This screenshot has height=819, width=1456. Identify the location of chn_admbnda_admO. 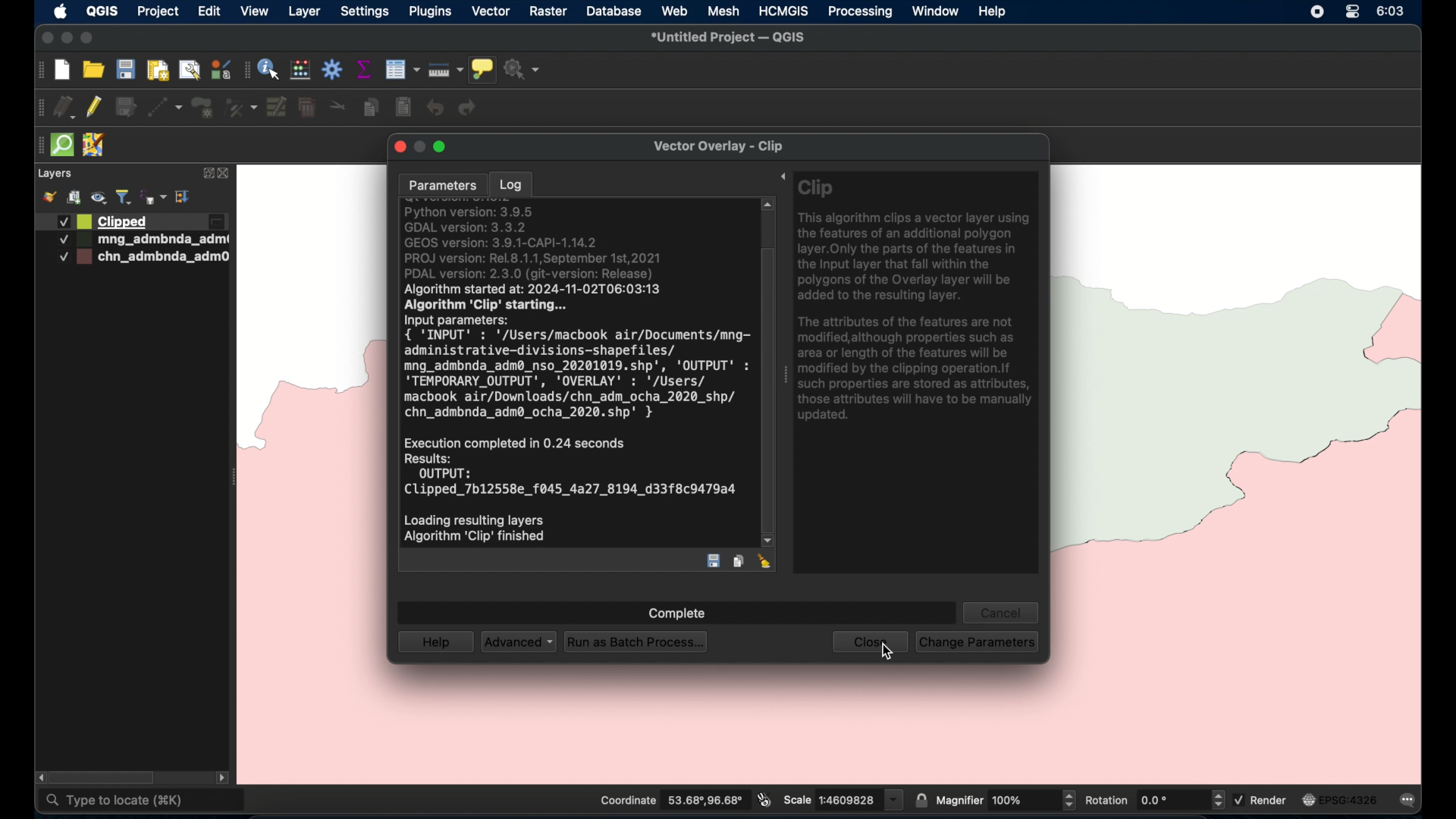
(143, 257).